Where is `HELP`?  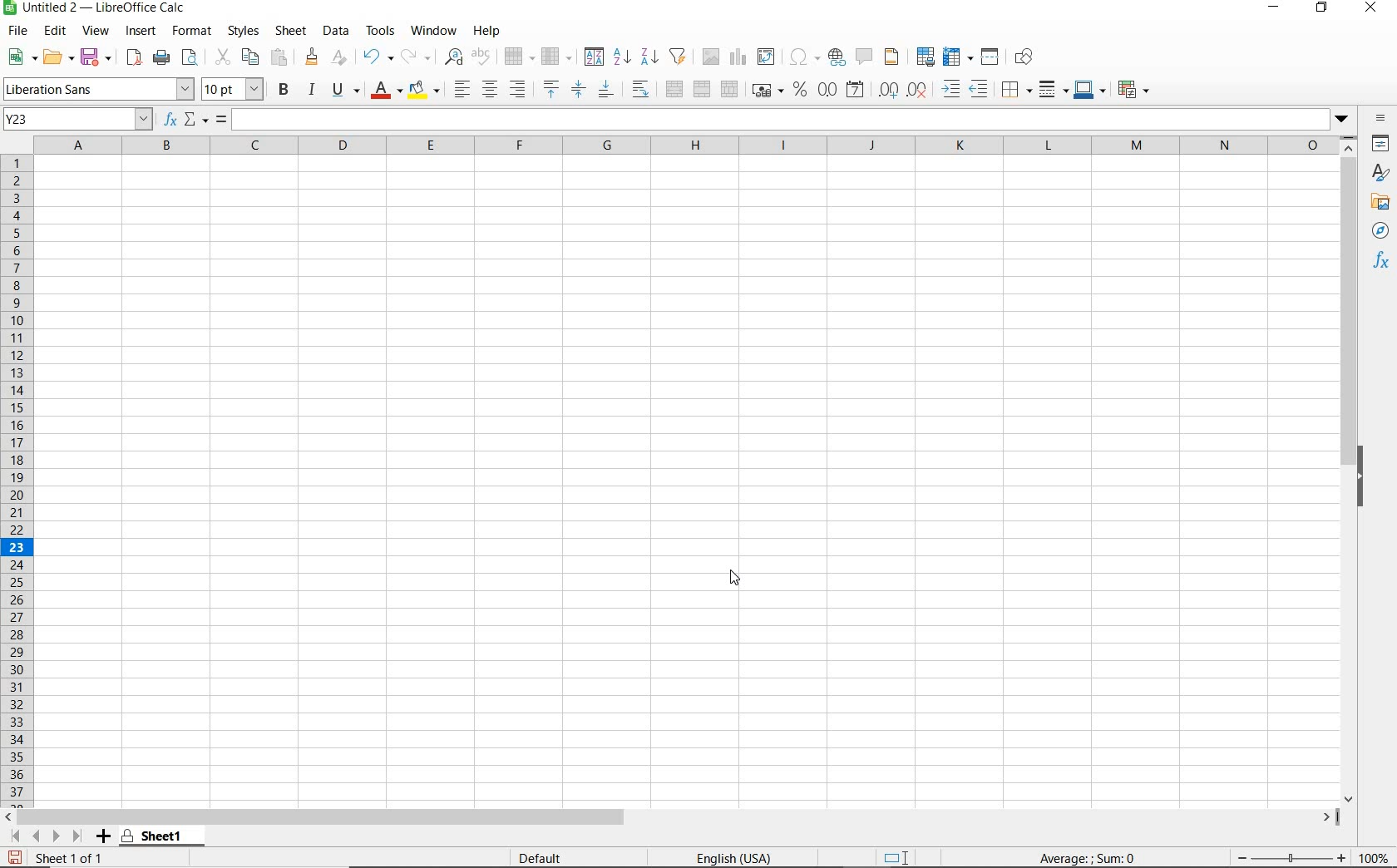 HELP is located at coordinates (487, 28).